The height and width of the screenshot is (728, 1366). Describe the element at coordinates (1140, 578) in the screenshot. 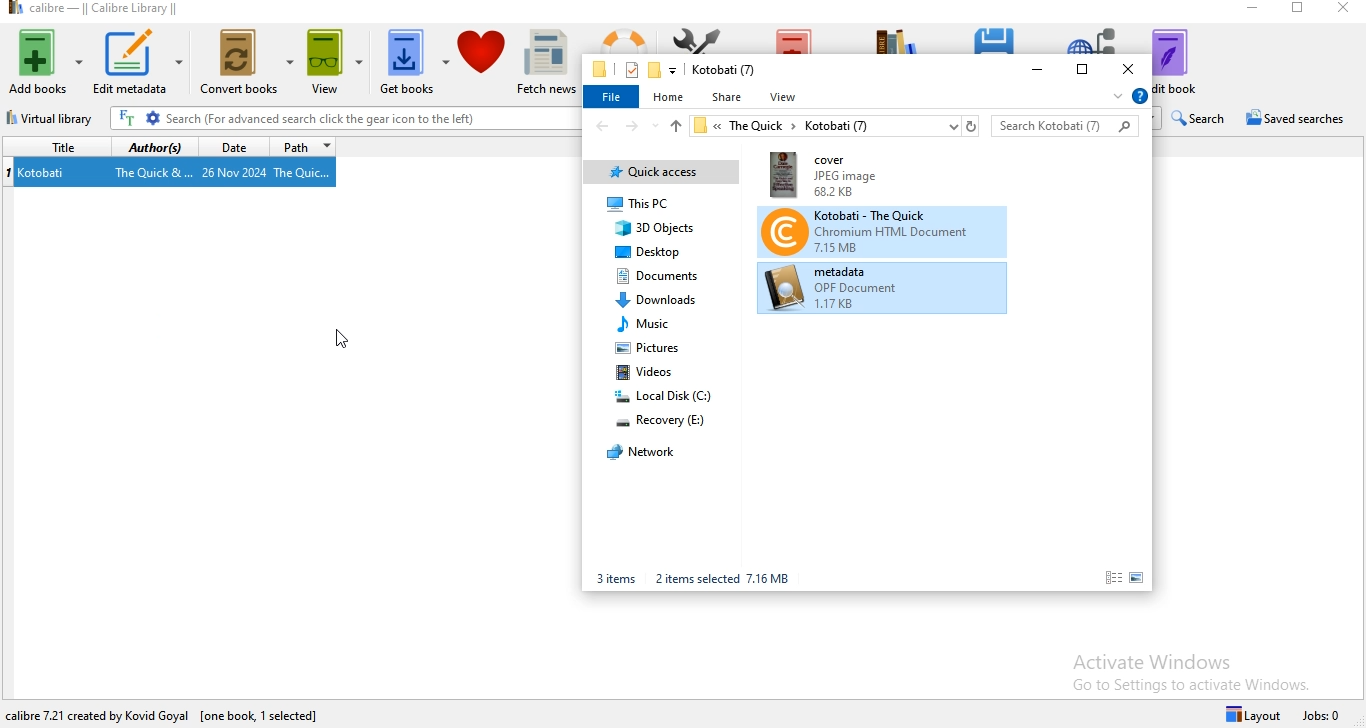

I see `display items by using large thumbnails` at that location.